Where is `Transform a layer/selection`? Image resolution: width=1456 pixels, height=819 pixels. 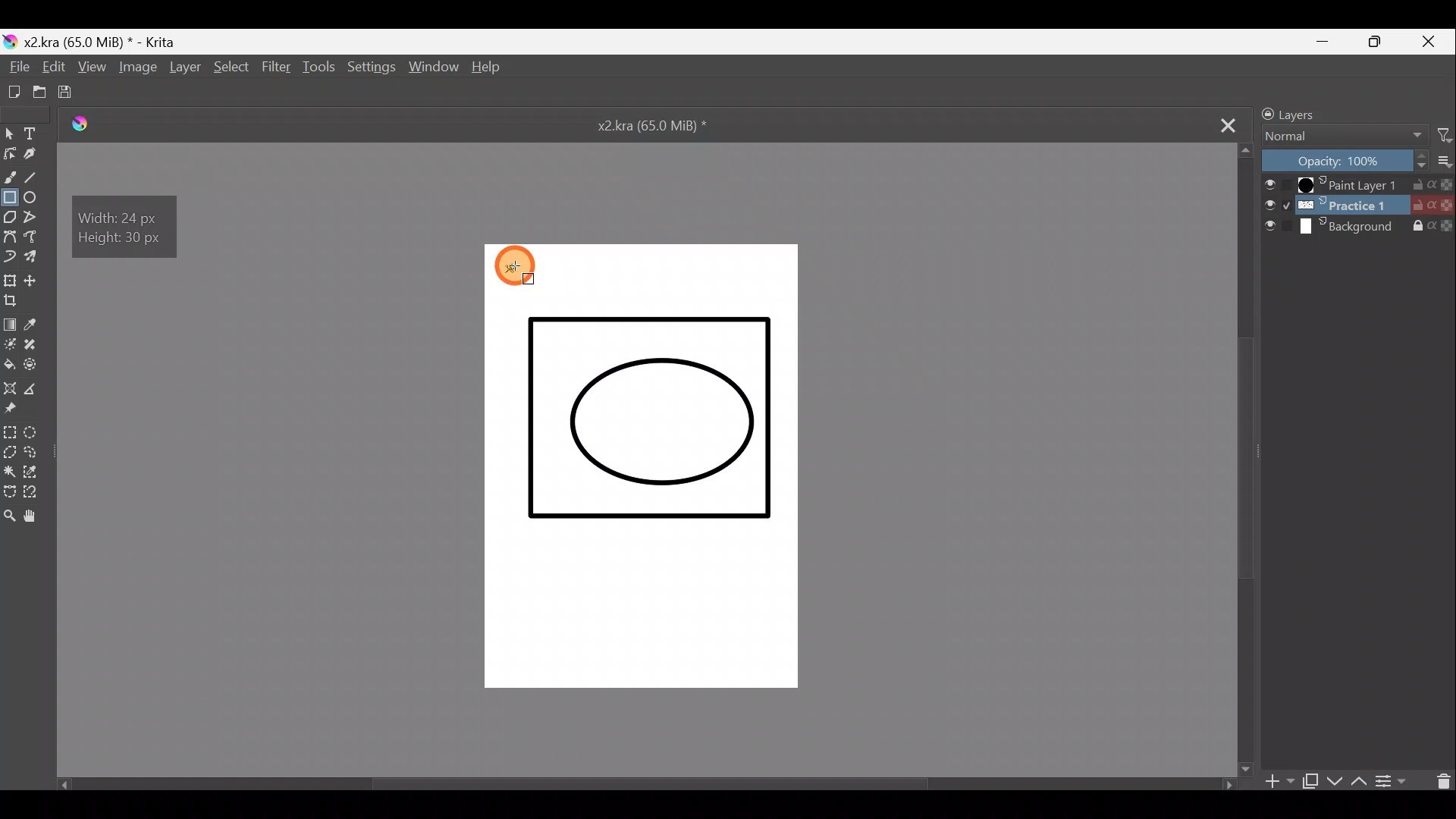 Transform a layer/selection is located at coordinates (9, 278).